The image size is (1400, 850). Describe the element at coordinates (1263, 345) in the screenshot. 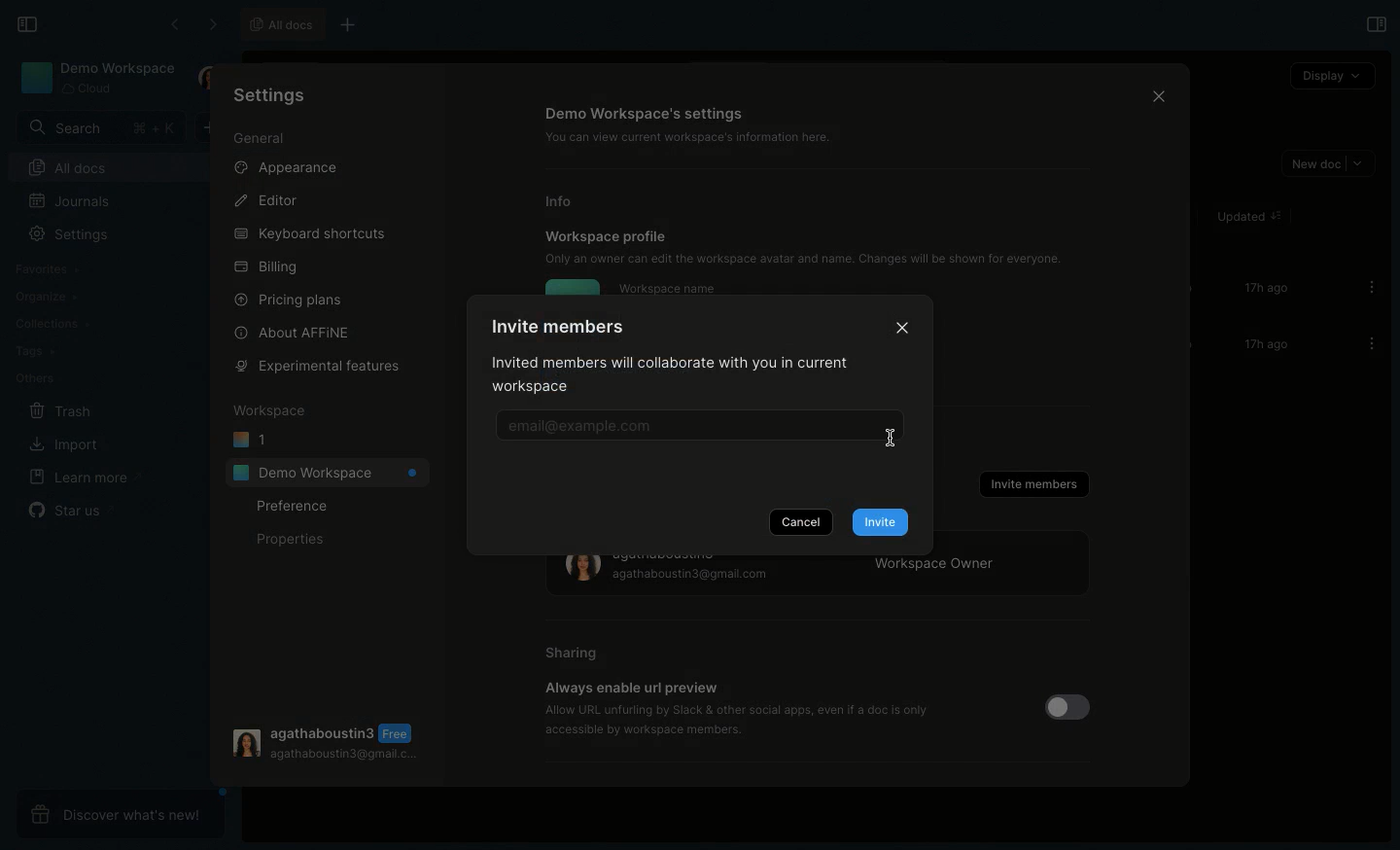

I see `17h ago` at that location.